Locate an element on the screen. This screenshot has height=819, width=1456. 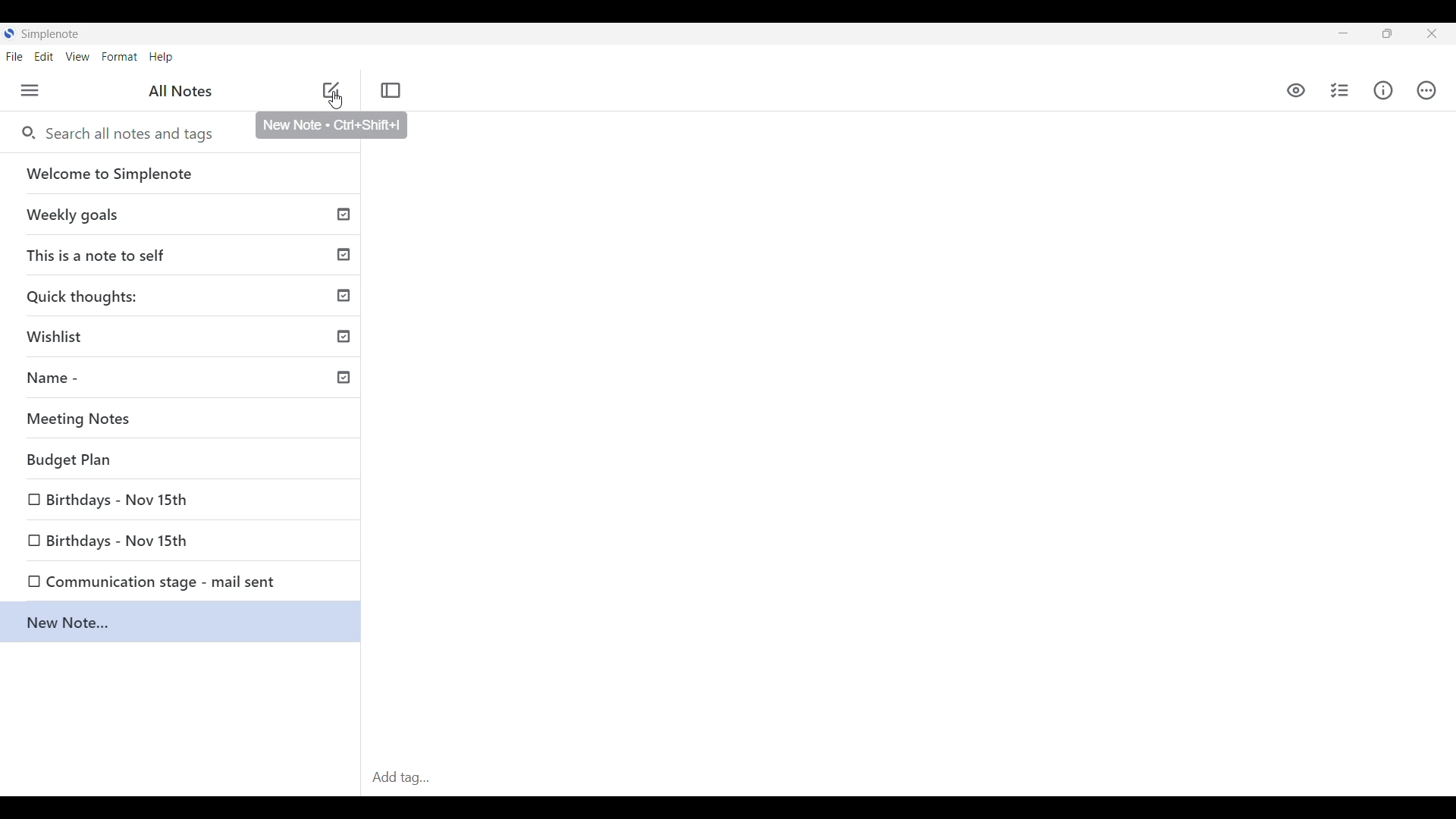
Meeting Notes is located at coordinates (186, 419).